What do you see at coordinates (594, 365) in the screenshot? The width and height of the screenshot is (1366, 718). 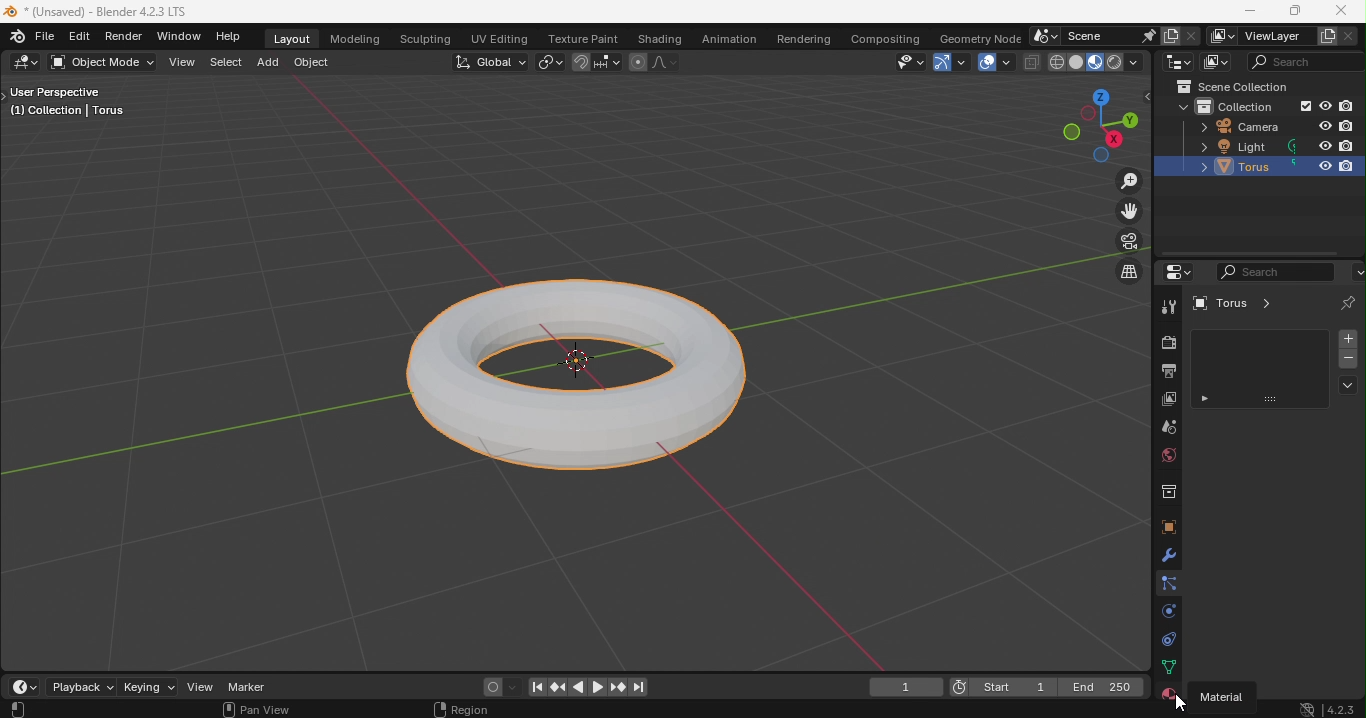 I see `Torus` at bounding box center [594, 365].